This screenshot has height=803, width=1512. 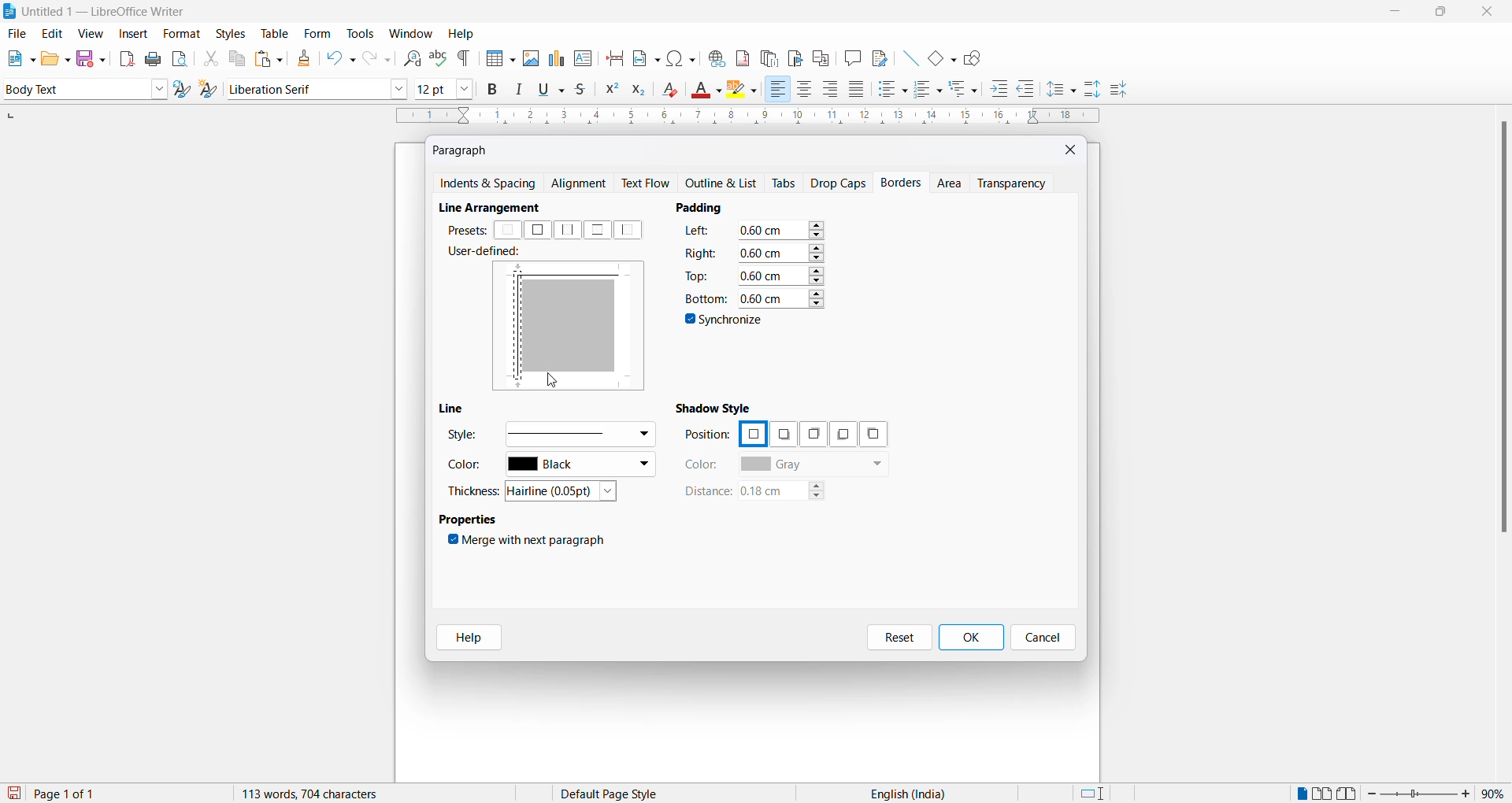 What do you see at coordinates (1072, 149) in the screenshot?
I see `close` at bounding box center [1072, 149].